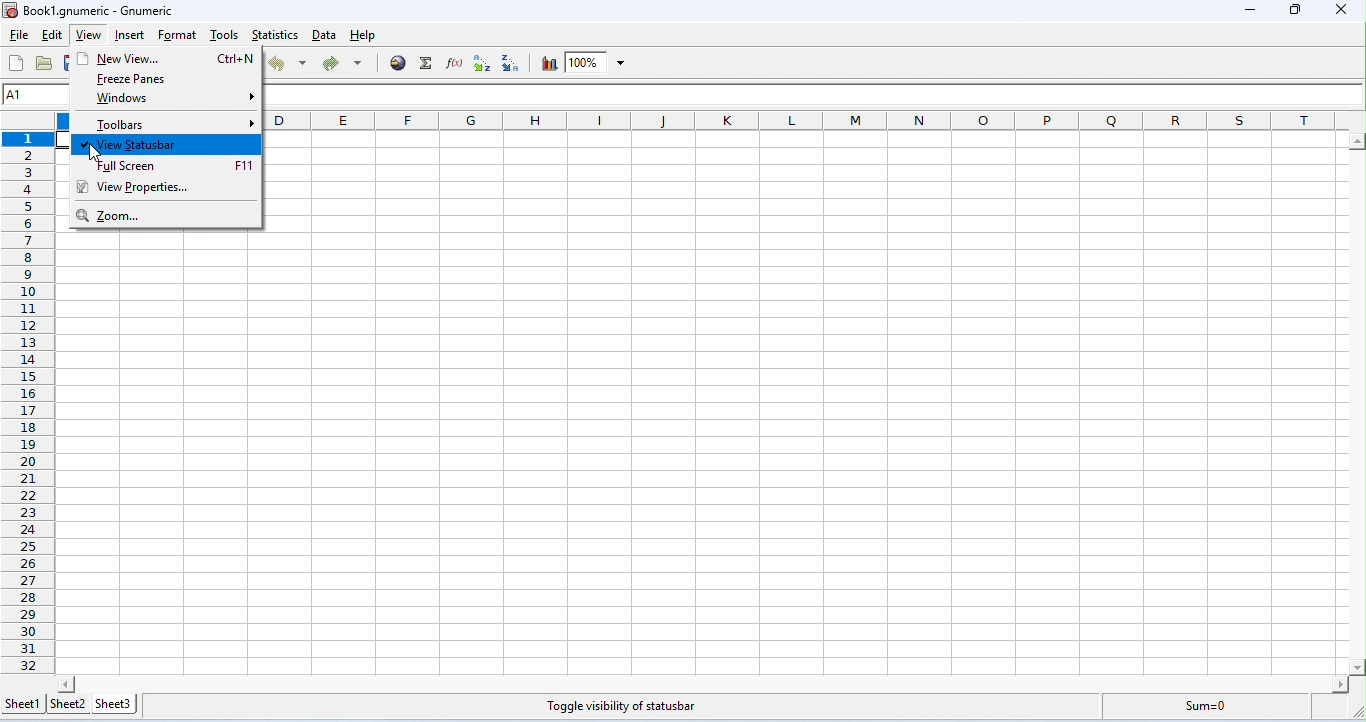 The image size is (1366, 722). What do you see at coordinates (1339, 9) in the screenshot?
I see `close` at bounding box center [1339, 9].